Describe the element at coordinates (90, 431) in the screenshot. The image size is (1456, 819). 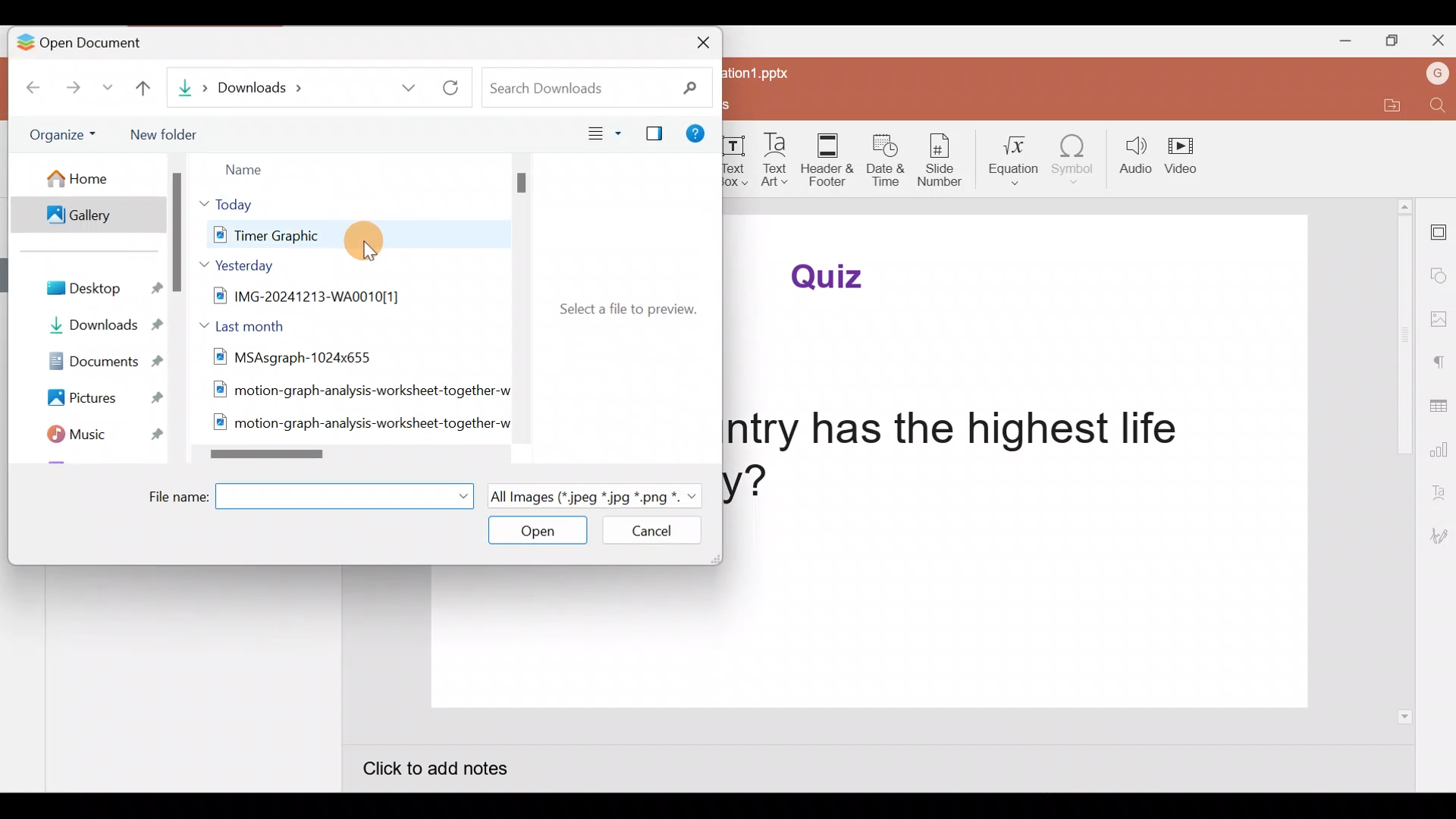
I see `Music` at that location.